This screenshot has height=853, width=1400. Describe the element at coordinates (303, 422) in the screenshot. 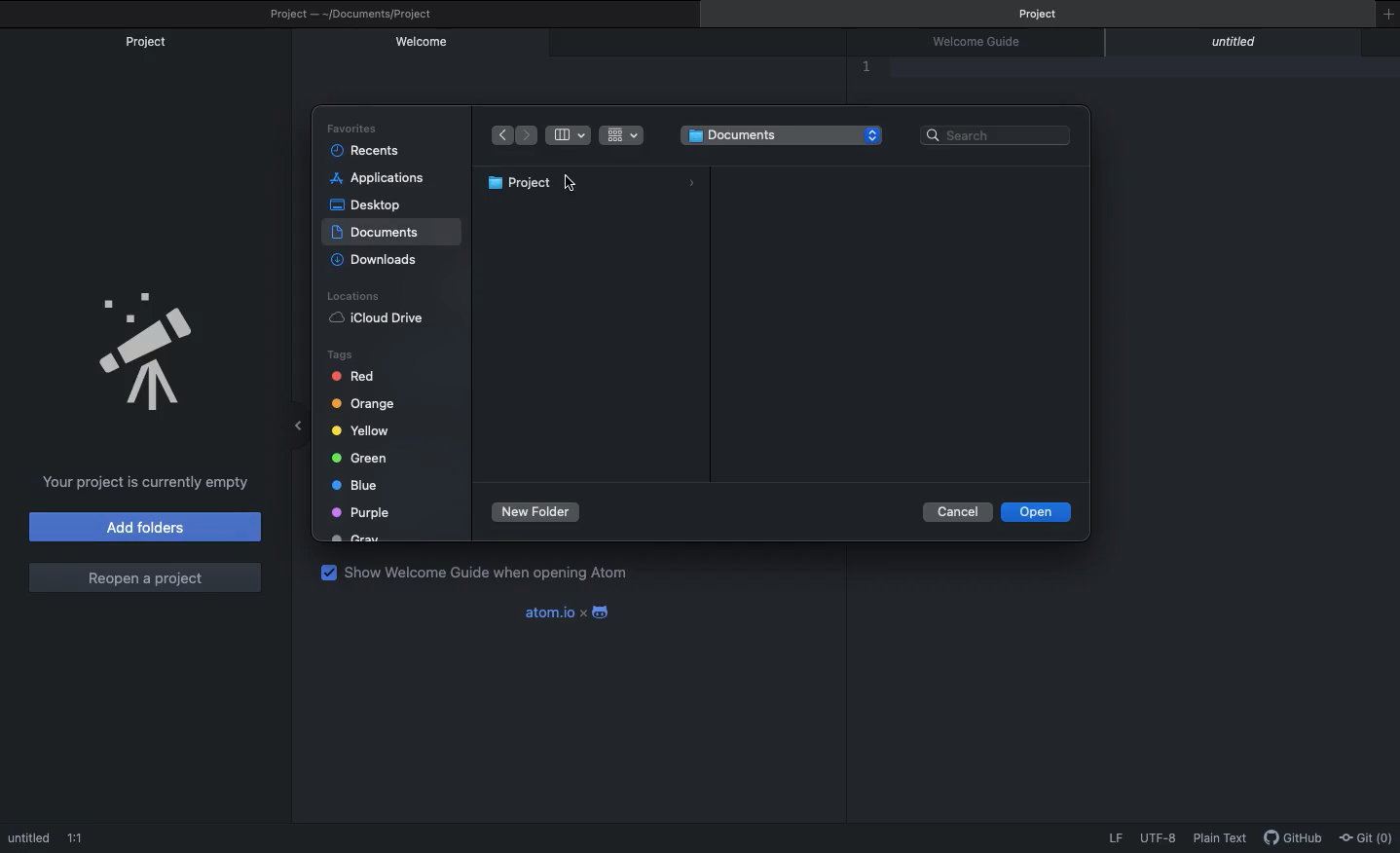

I see `Minimize` at that location.